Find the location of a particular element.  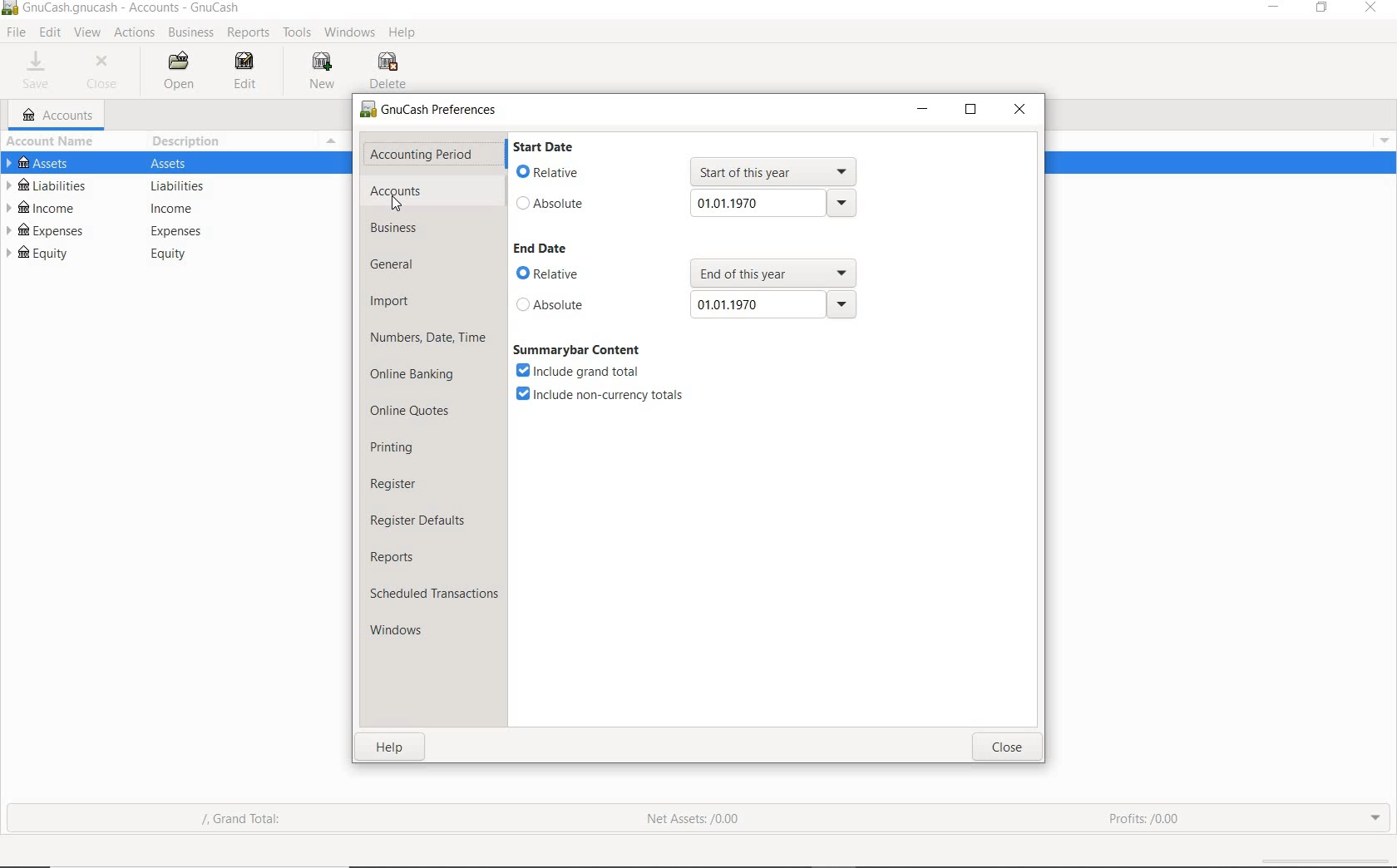

online quotes is located at coordinates (416, 412).